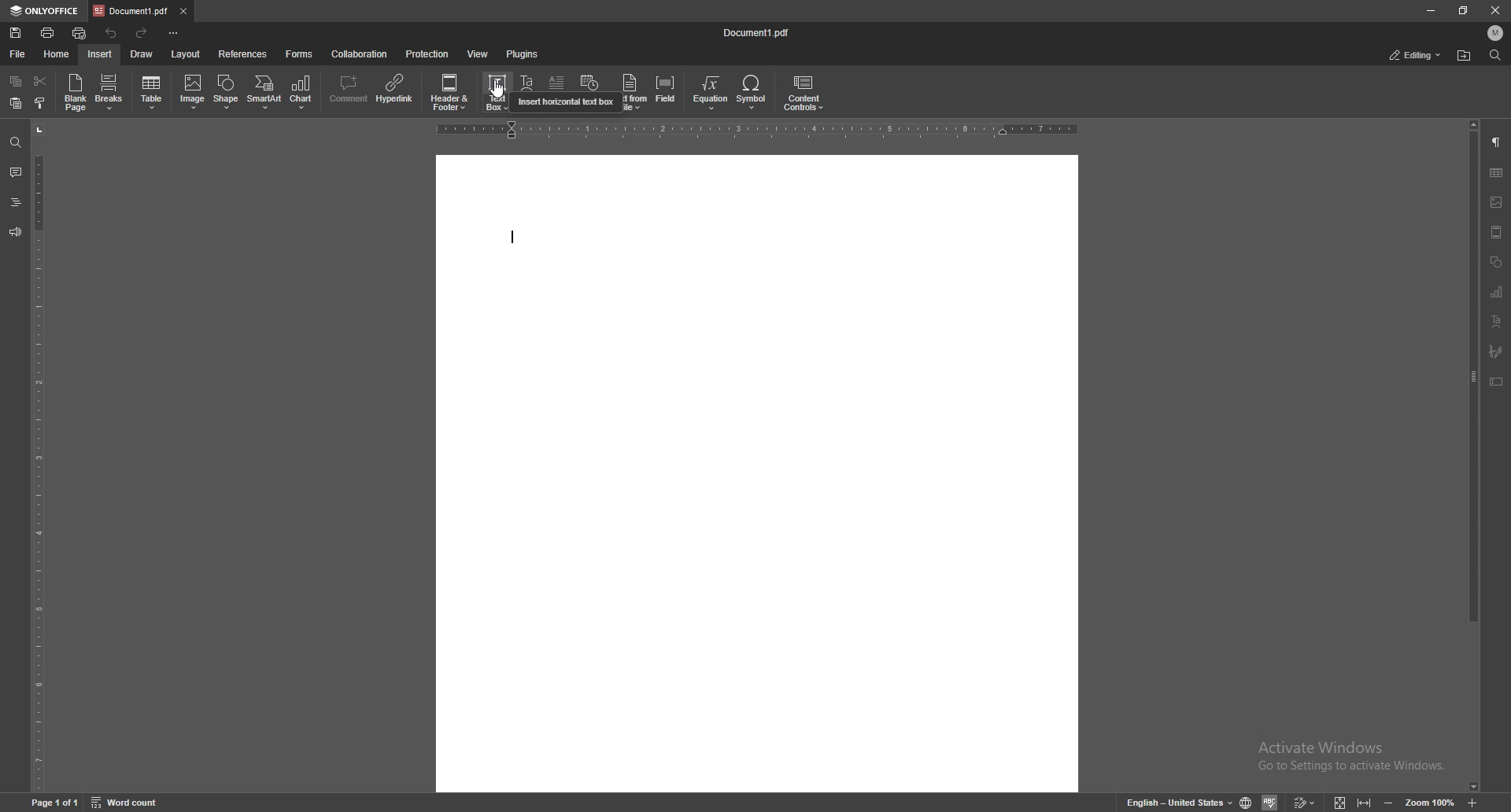  What do you see at coordinates (47, 33) in the screenshot?
I see `print` at bounding box center [47, 33].